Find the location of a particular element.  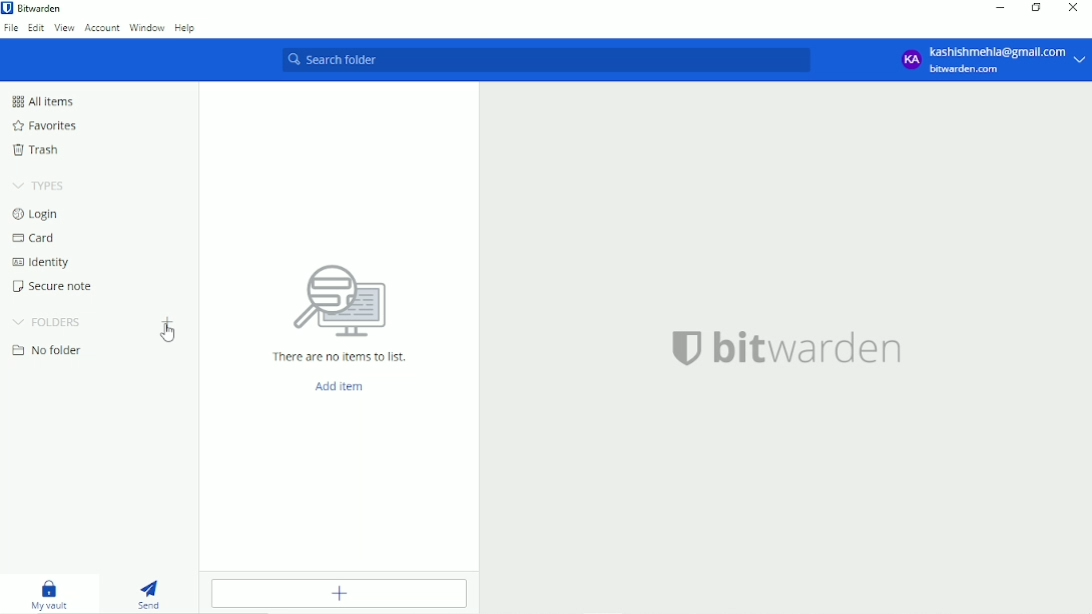

Minimize is located at coordinates (999, 8).